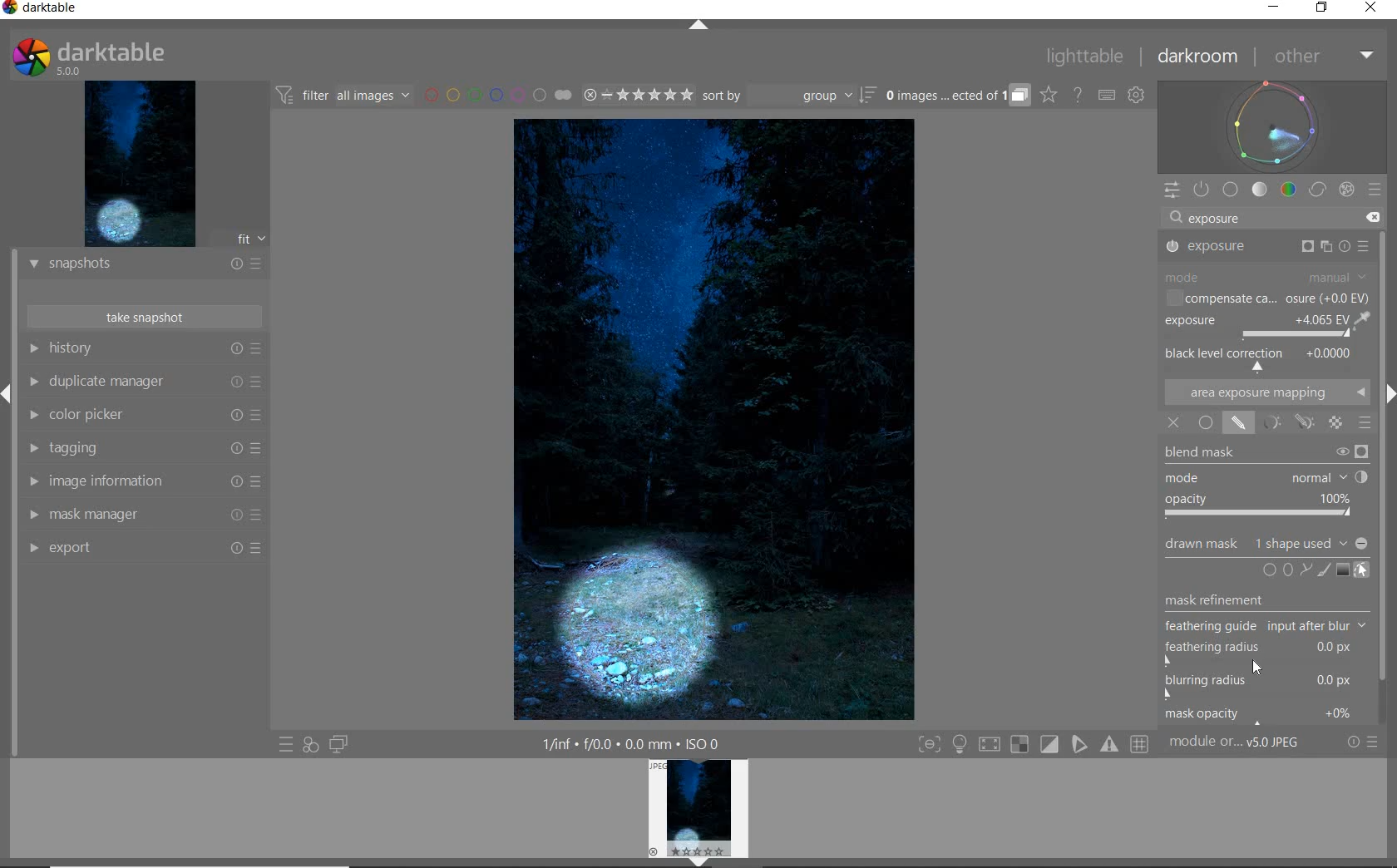 The width and height of the screenshot is (1397, 868). What do you see at coordinates (1049, 95) in the screenshot?
I see `CLICK TO CHANGE THE OVERLAYS SHOWN ON THUMBNAILS` at bounding box center [1049, 95].